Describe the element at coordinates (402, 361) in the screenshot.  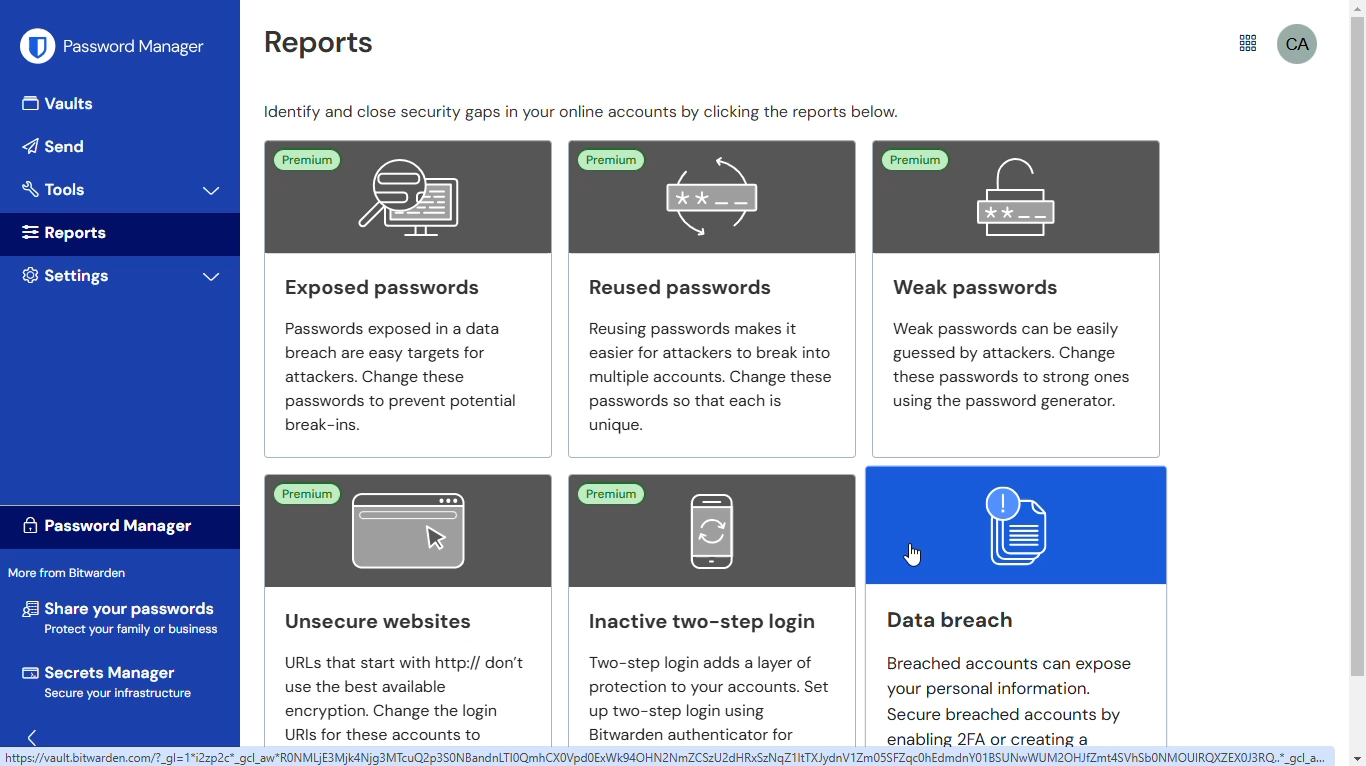
I see `Exposed passwords
Passwords exposed in a data
breach are easy targets for
attackers. Change these
passwords to prevent potential
break-ins.` at that location.